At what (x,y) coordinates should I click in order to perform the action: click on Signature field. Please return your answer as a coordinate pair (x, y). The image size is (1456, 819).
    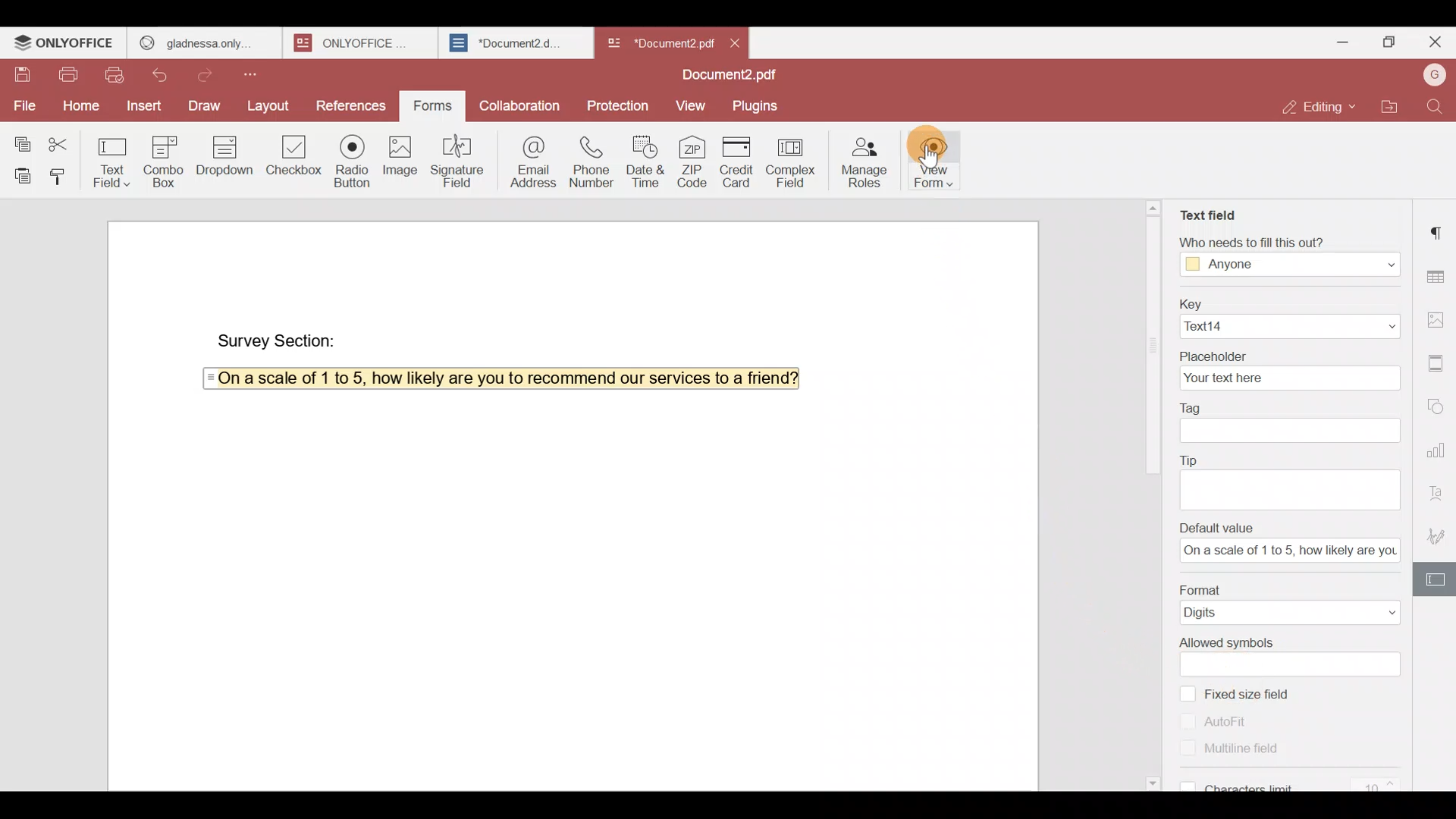
    Looking at the image, I should click on (461, 160).